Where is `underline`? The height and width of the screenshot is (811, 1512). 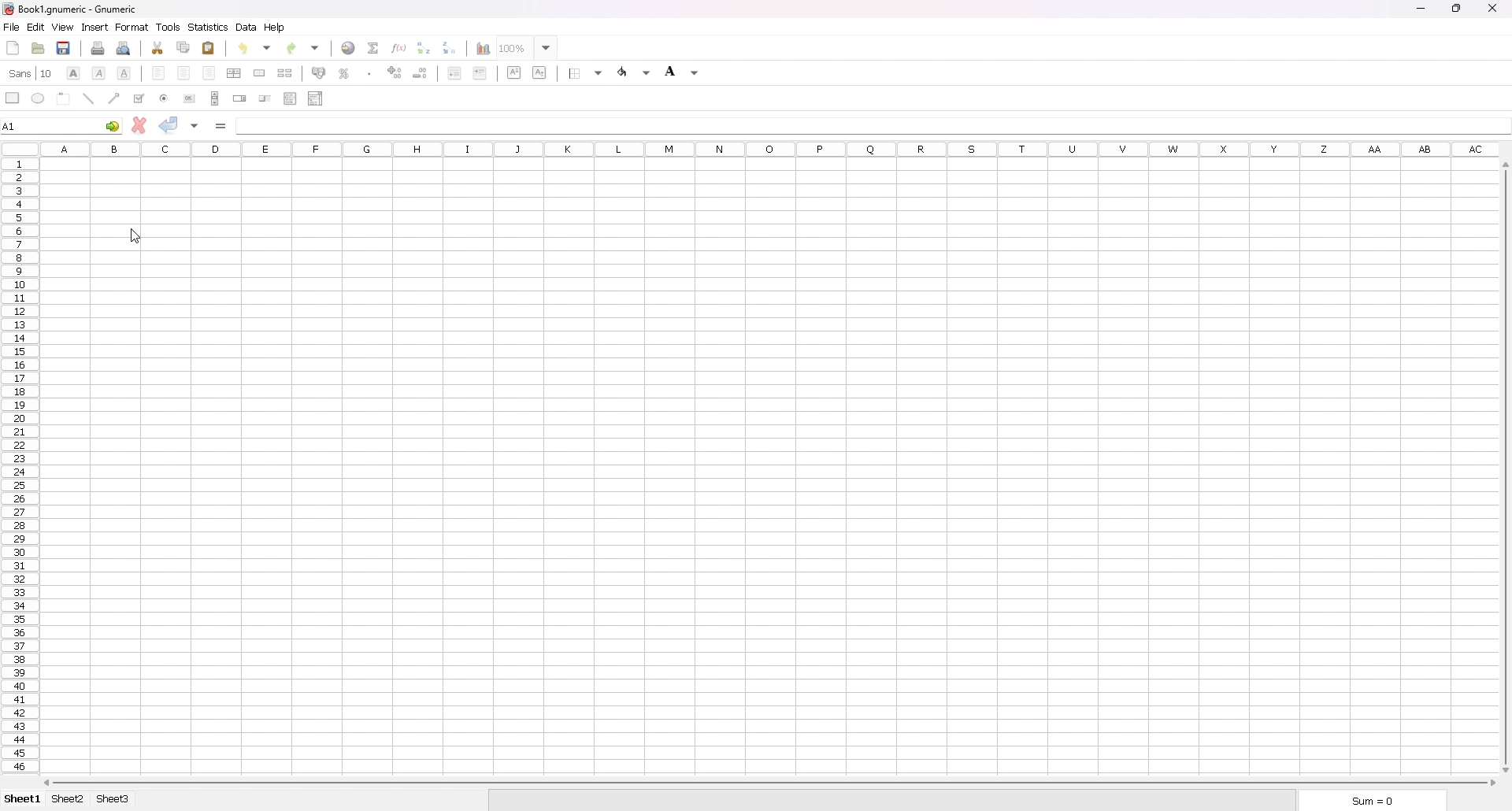
underline is located at coordinates (124, 72).